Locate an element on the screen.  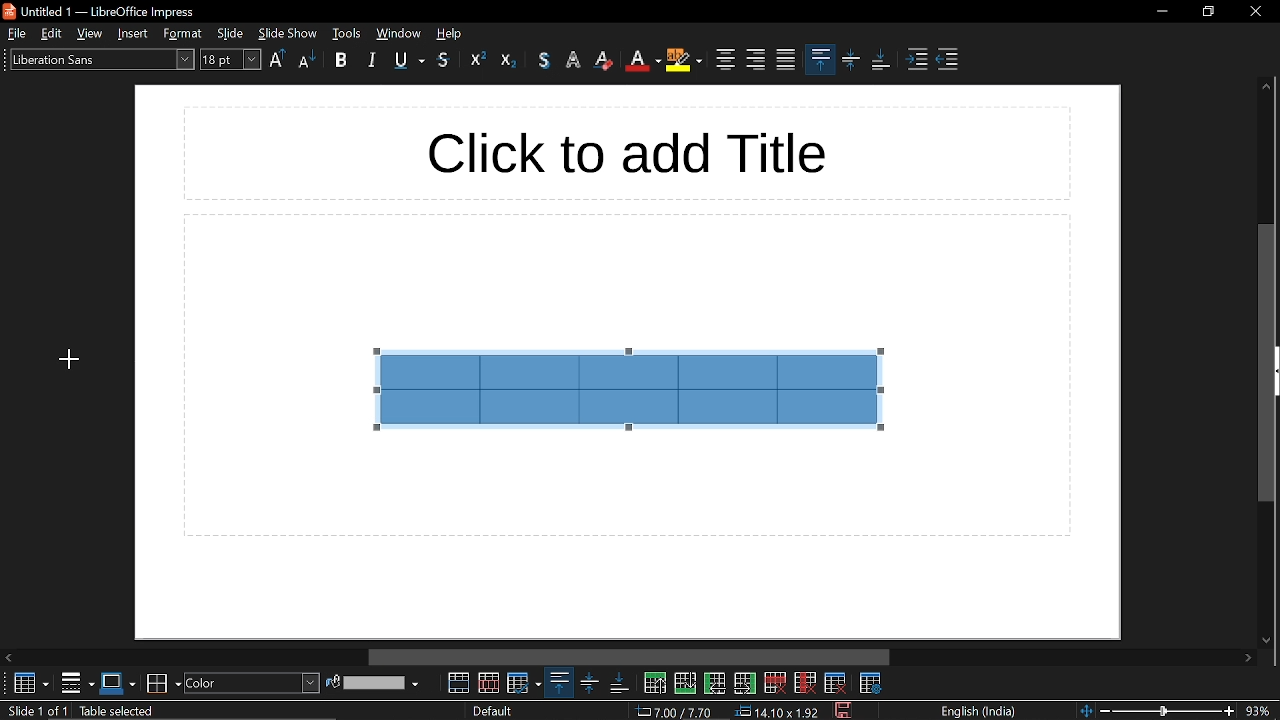
save is located at coordinates (842, 709).